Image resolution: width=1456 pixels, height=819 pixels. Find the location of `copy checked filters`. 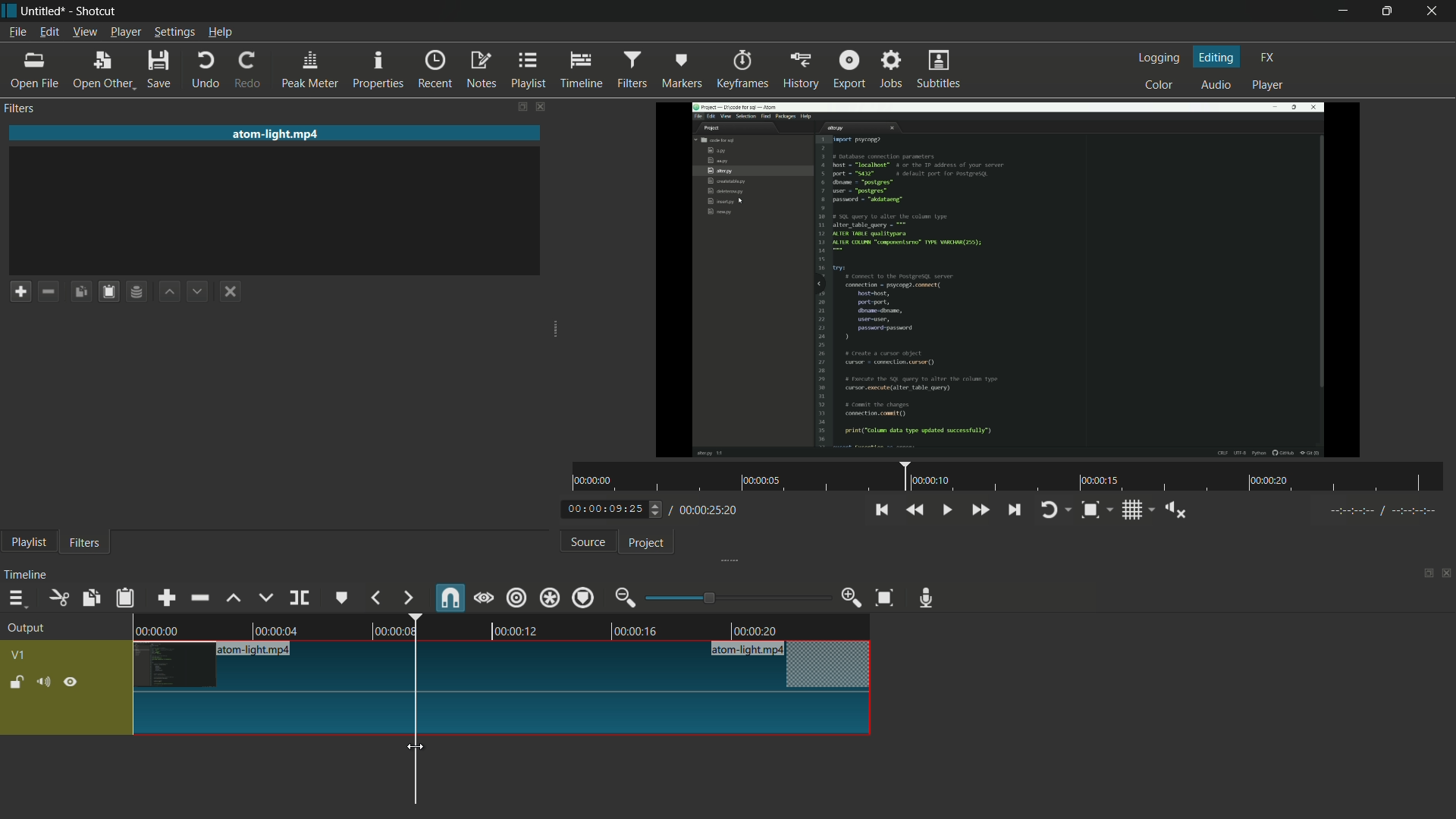

copy checked filters is located at coordinates (84, 290).